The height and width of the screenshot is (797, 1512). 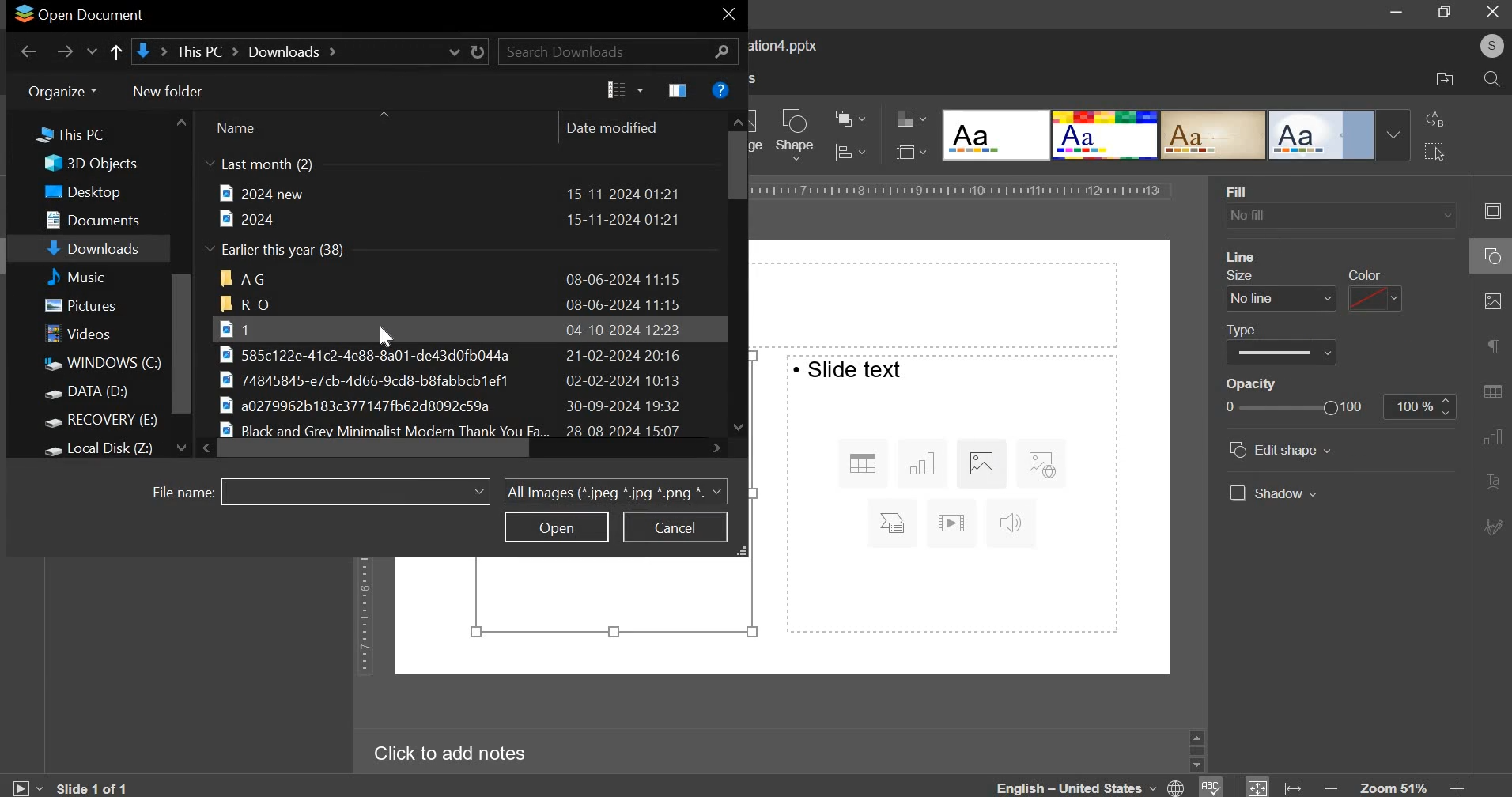 I want to click on slide show, so click(x=25, y=785).